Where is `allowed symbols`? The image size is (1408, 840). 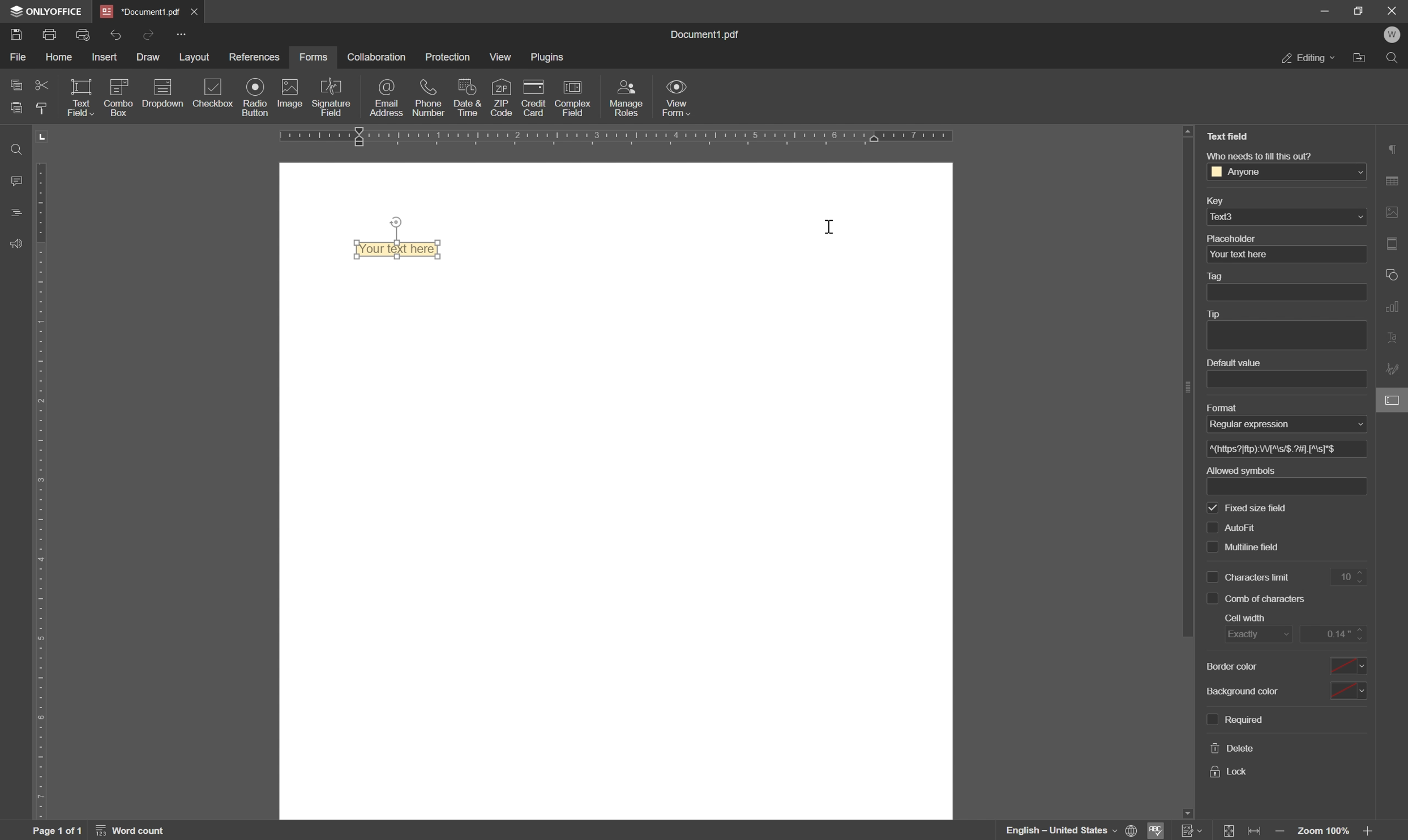 allowed symbols is located at coordinates (1239, 469).